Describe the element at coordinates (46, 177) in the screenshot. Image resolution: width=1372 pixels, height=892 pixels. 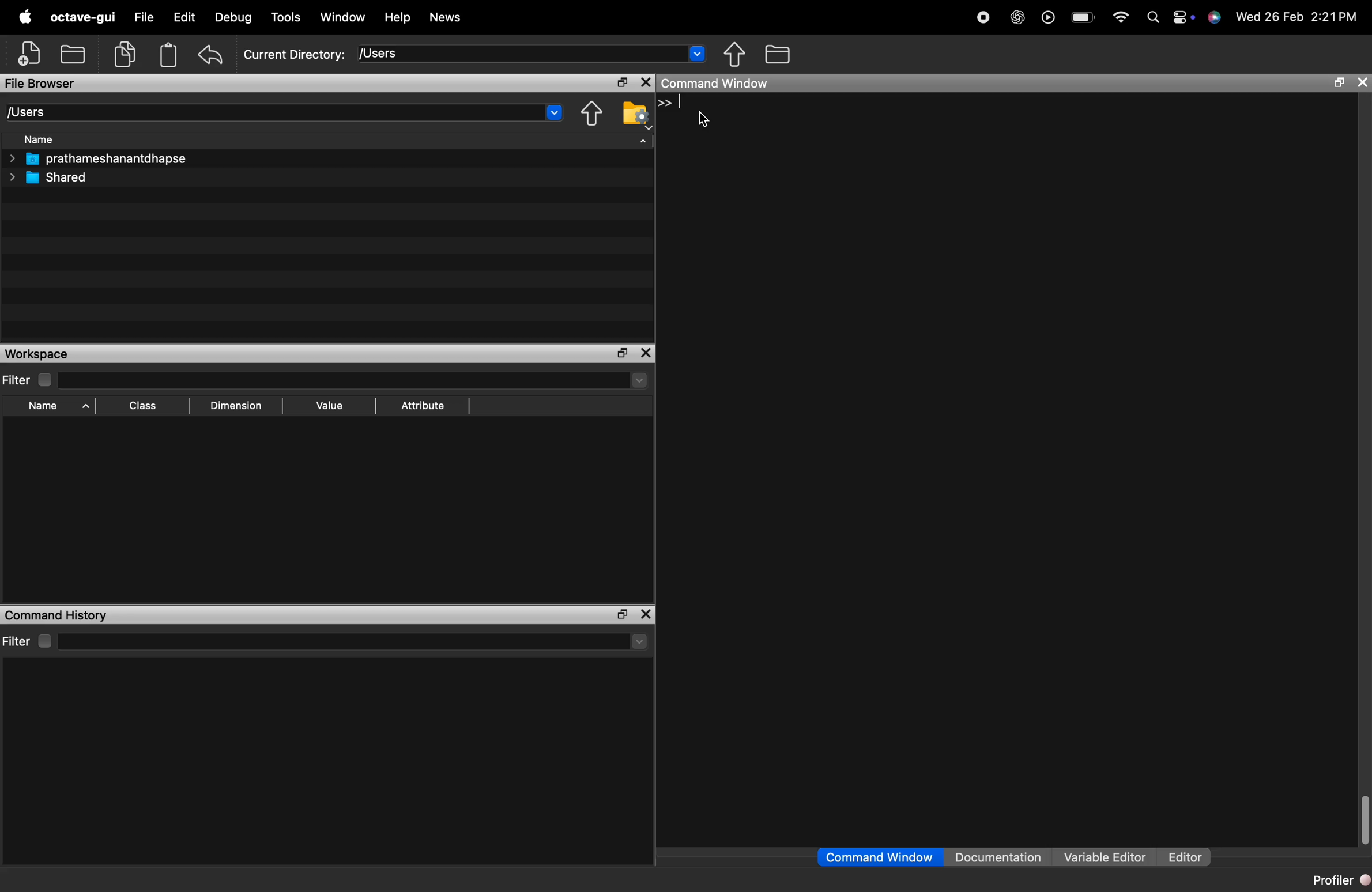
I see `Shared` at that location.